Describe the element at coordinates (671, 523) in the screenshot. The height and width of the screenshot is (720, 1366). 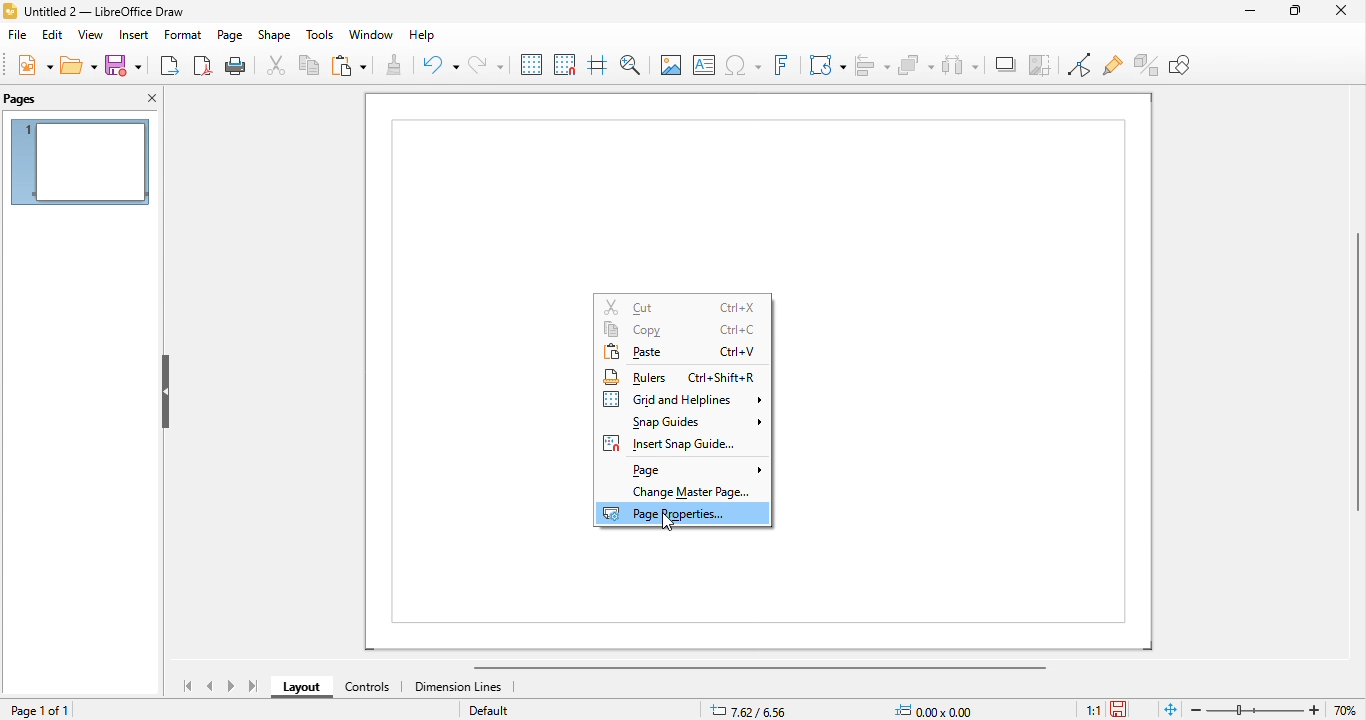
I see `cursor movements` at that location.